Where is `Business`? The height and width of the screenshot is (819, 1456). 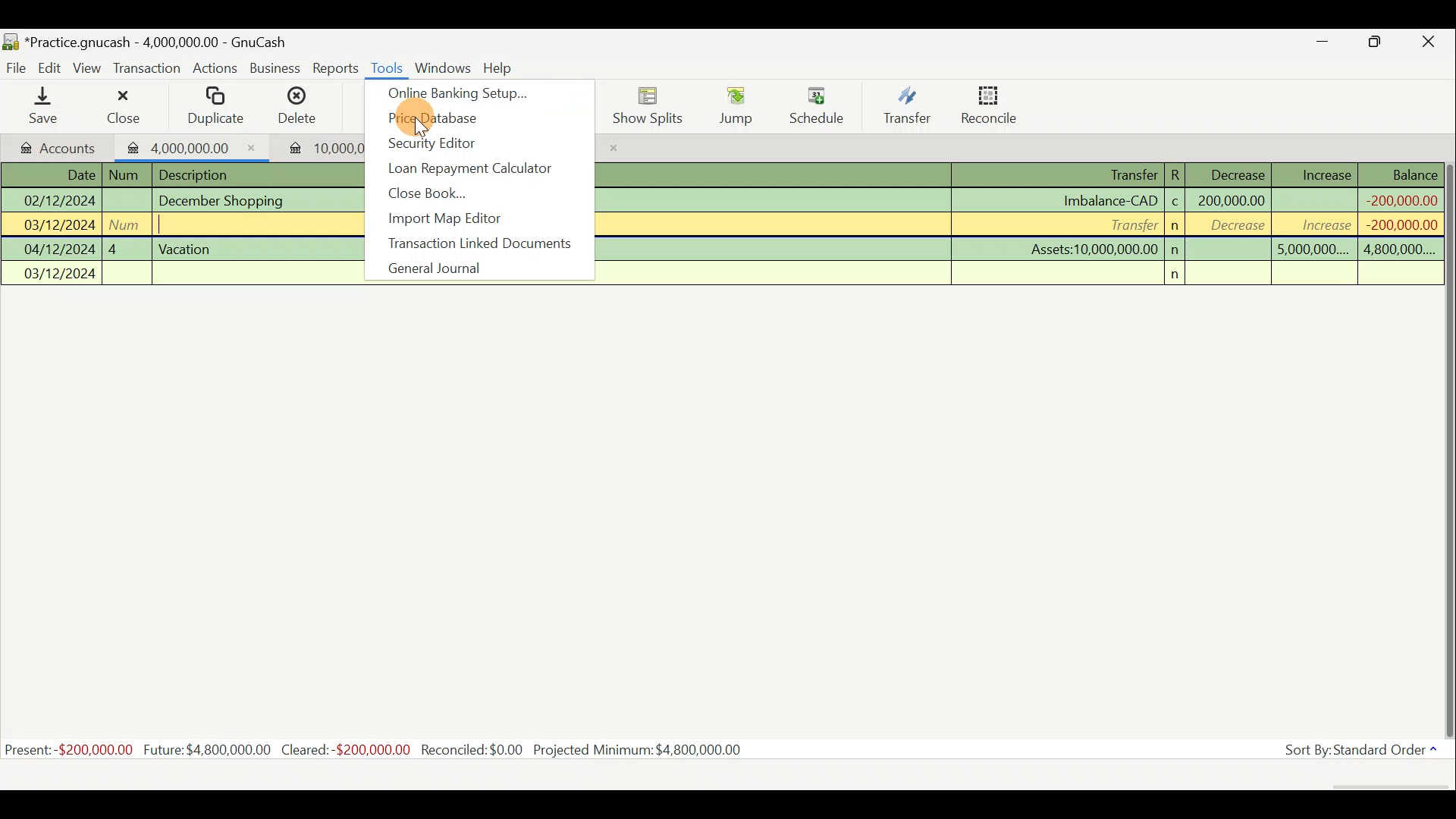
Business is located at coordinates (276, 68).